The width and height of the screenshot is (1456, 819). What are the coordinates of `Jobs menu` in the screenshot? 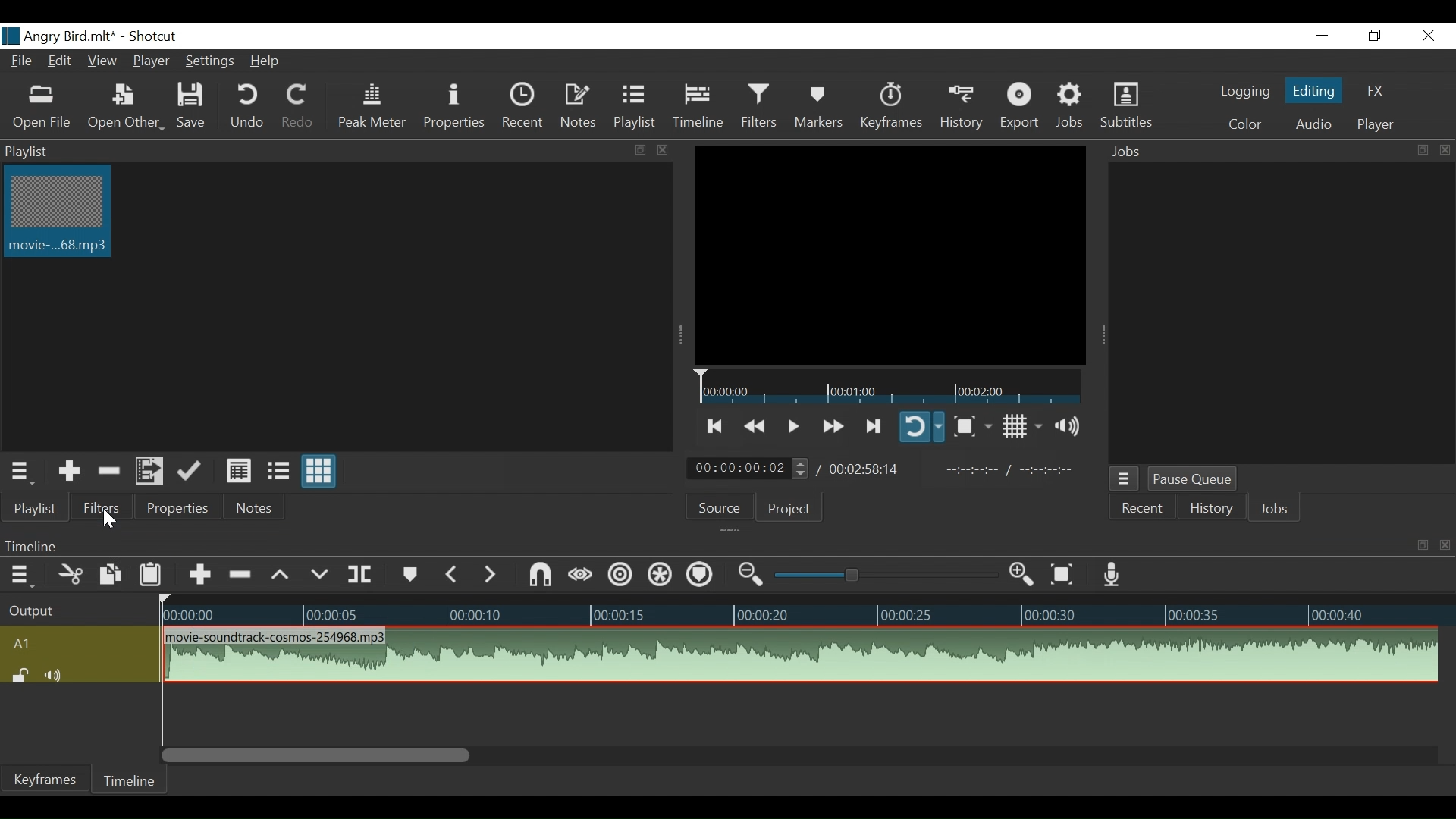 It's located at (1125, 479).